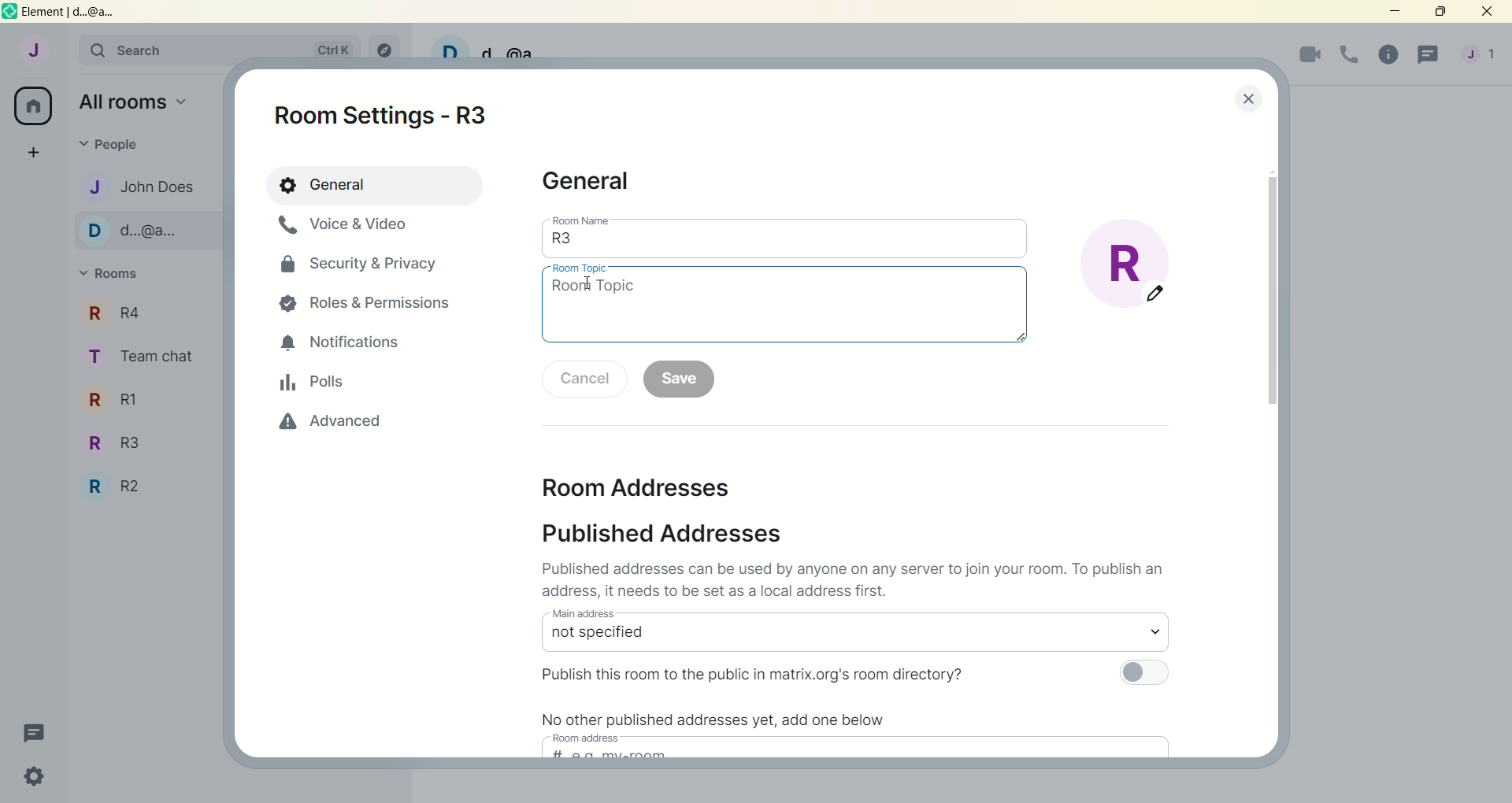 This screenshot has width=1512, height=803. Describe the element at coordinates (1253, 95) in the screenshot. I see `lose` at that location.